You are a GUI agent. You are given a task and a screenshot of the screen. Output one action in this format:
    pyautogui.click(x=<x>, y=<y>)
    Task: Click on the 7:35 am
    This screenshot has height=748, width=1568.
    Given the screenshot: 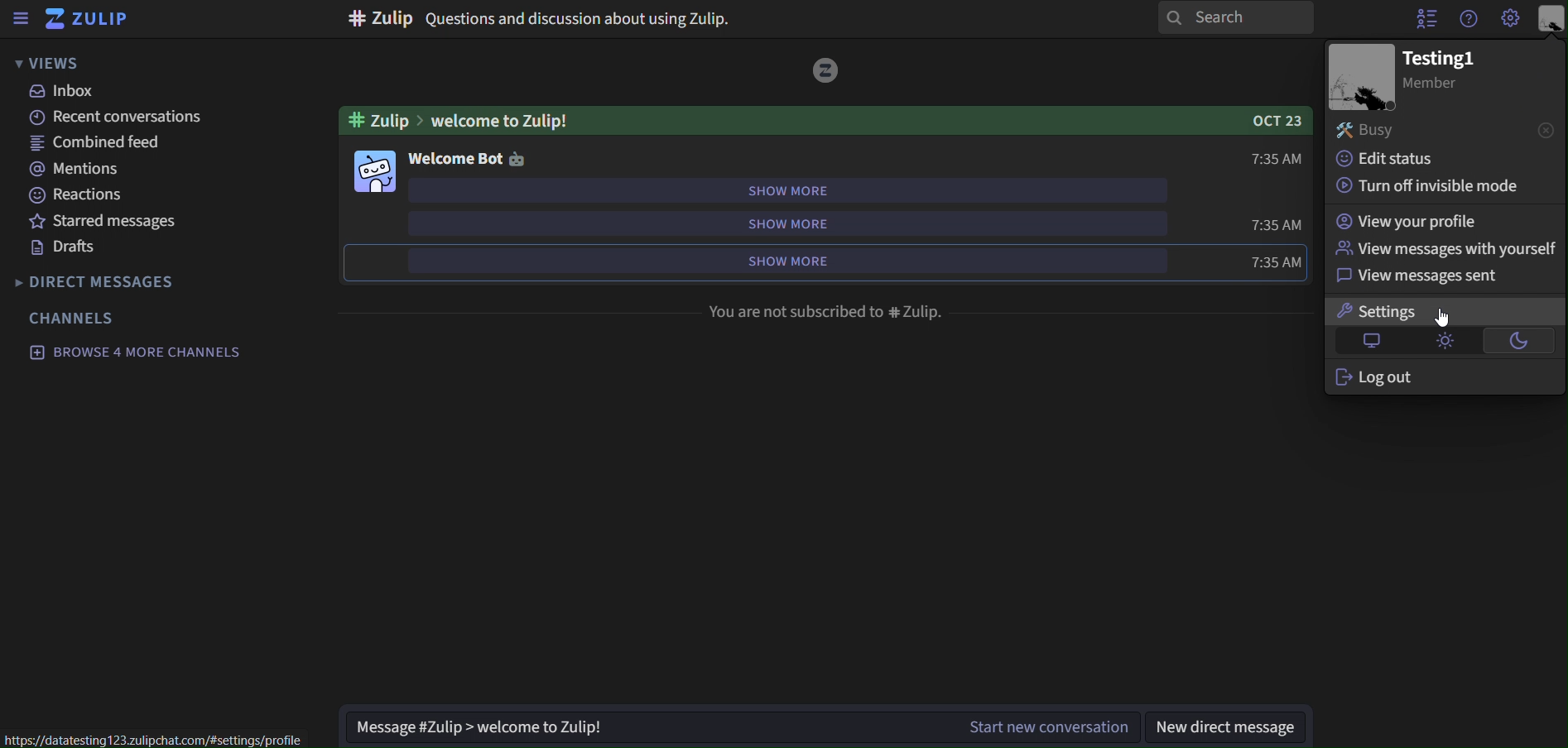 What is the action you would take?
    pyautogui.click(x=1277, y=261)
    